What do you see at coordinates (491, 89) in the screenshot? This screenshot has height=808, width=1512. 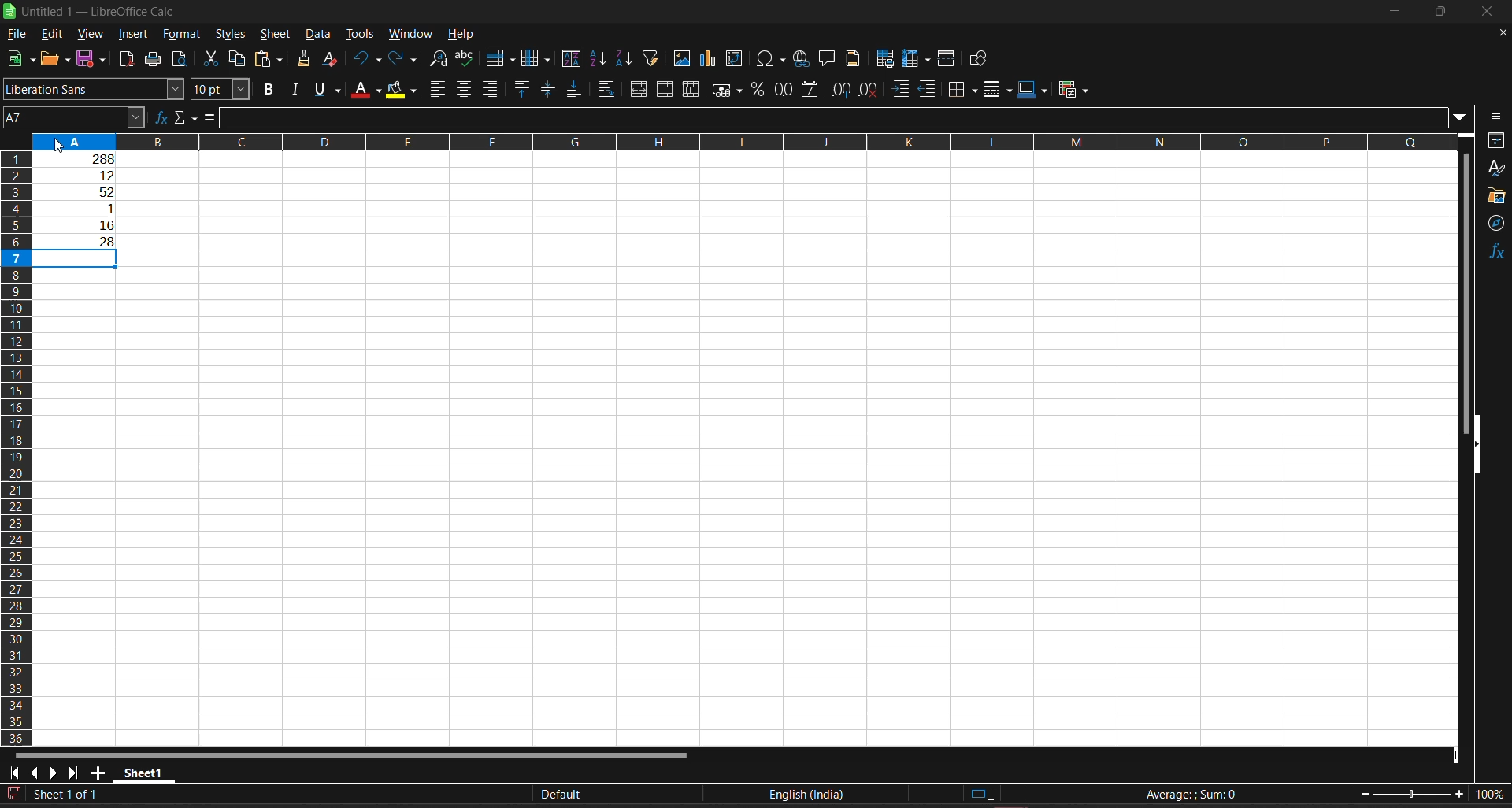 I see `align right` at bounding box center [491, 89].